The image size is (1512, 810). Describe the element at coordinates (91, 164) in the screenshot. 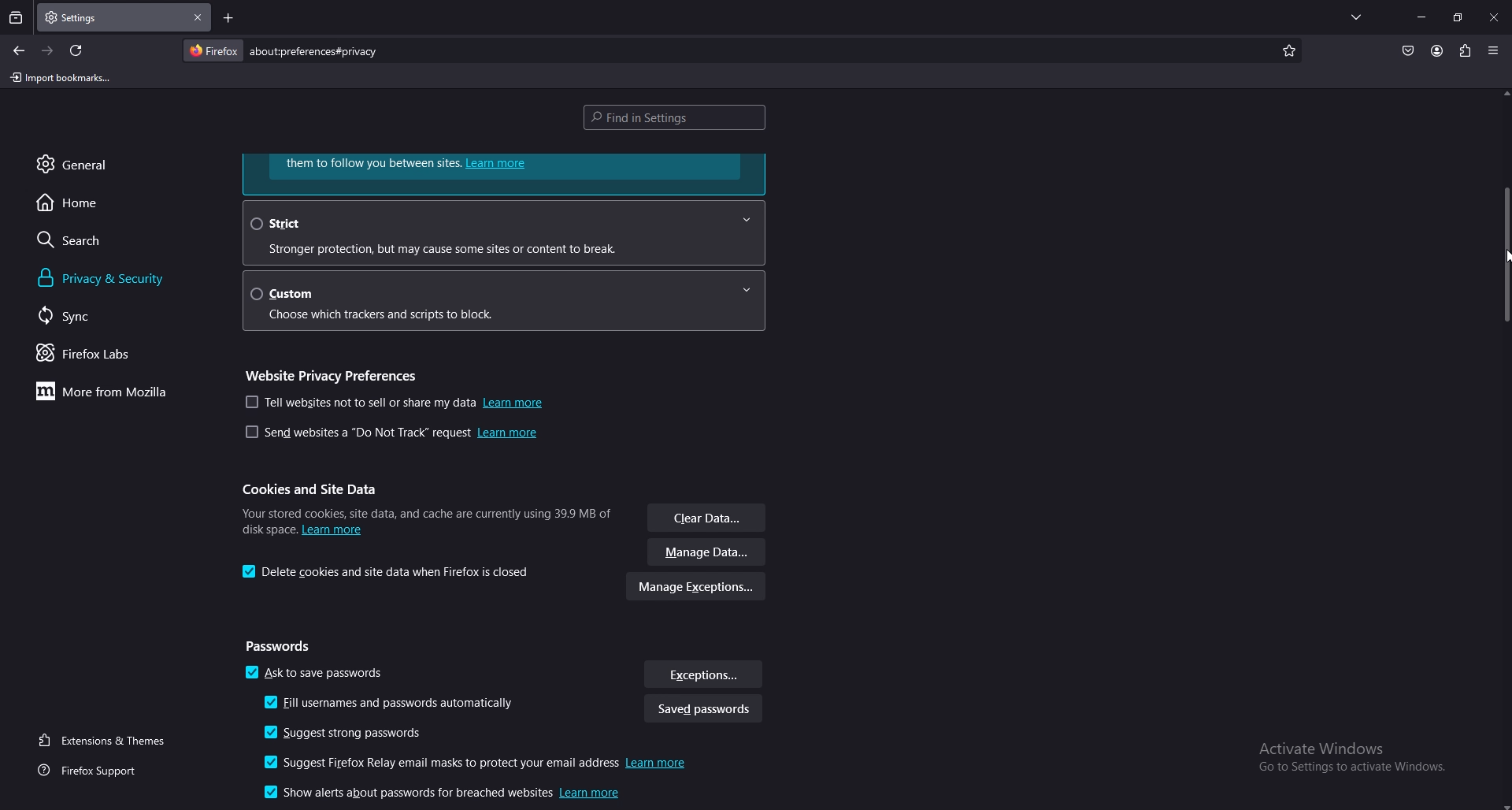

I see `general` at that location.